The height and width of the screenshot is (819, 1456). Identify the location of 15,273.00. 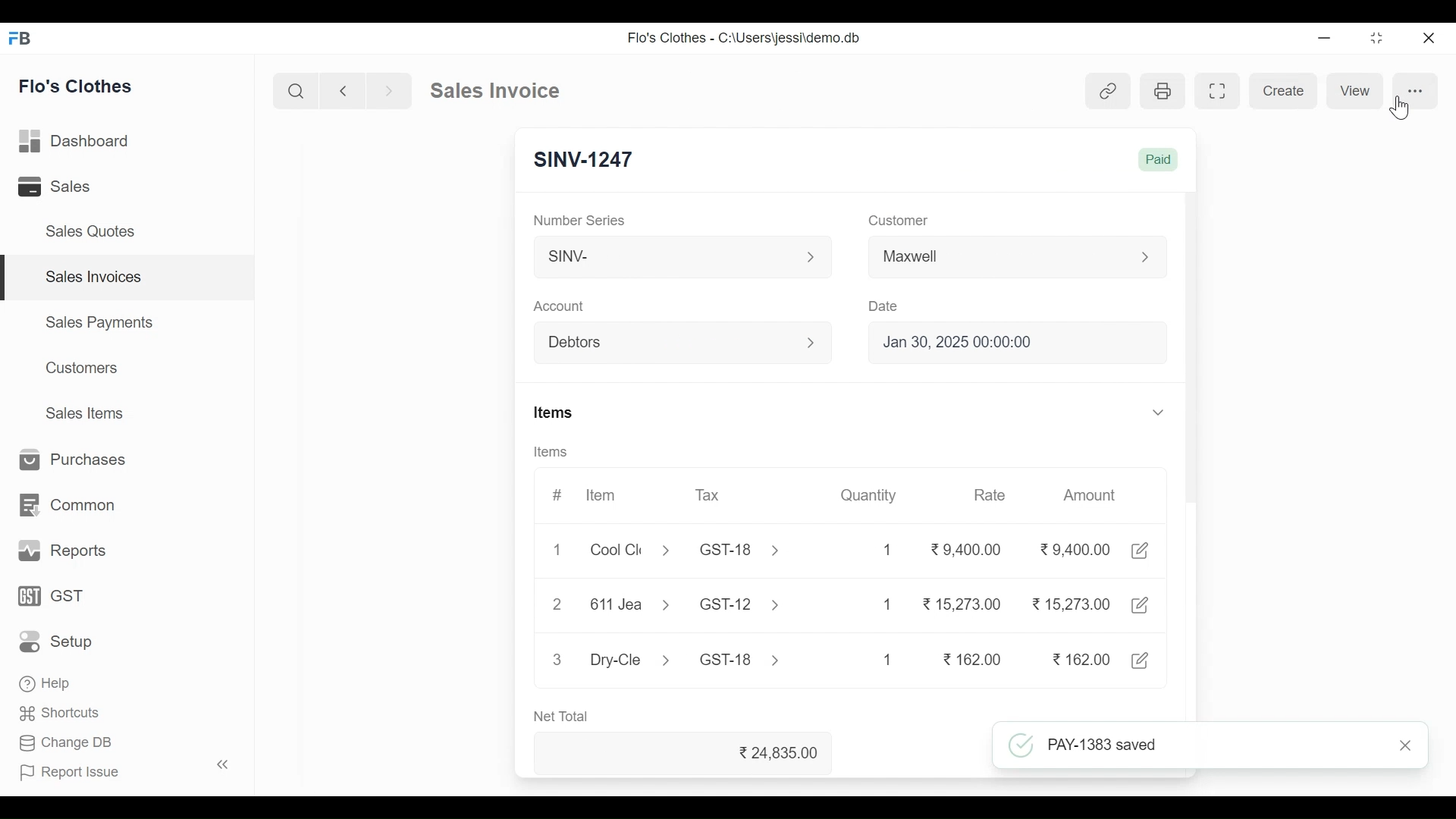
(962, 603).